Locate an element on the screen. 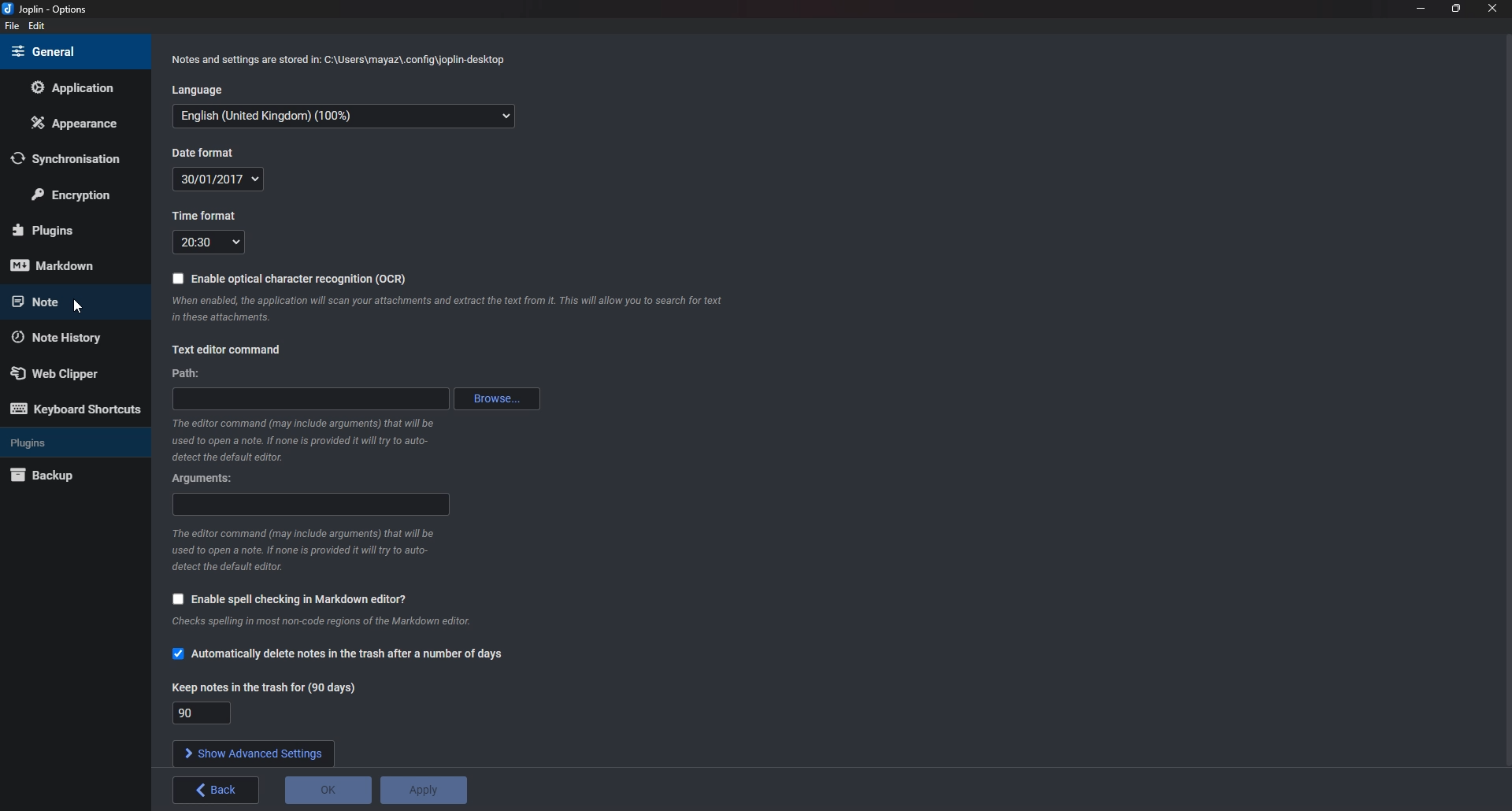 The height and width of the screenshot is (811, 1512). Back up is located at coordinates (72, 476).